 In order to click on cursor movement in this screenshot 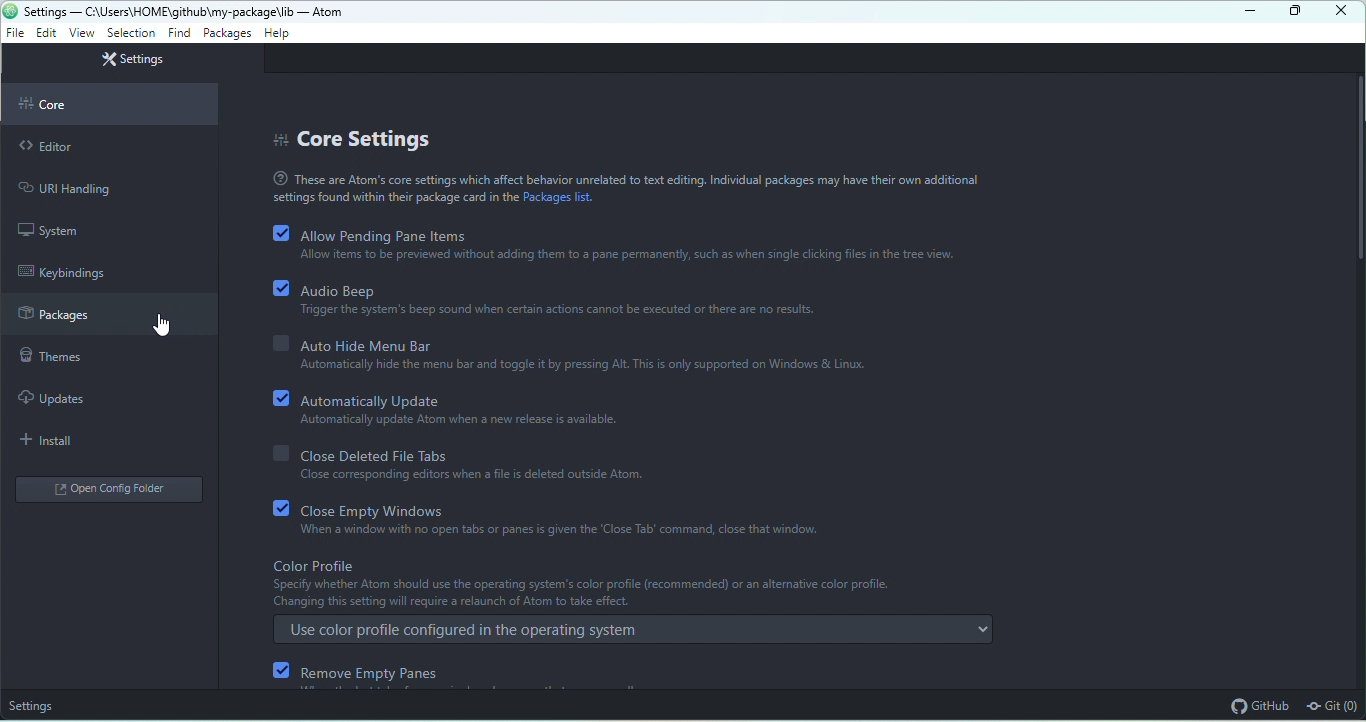, I will do `click(169, 326)`.